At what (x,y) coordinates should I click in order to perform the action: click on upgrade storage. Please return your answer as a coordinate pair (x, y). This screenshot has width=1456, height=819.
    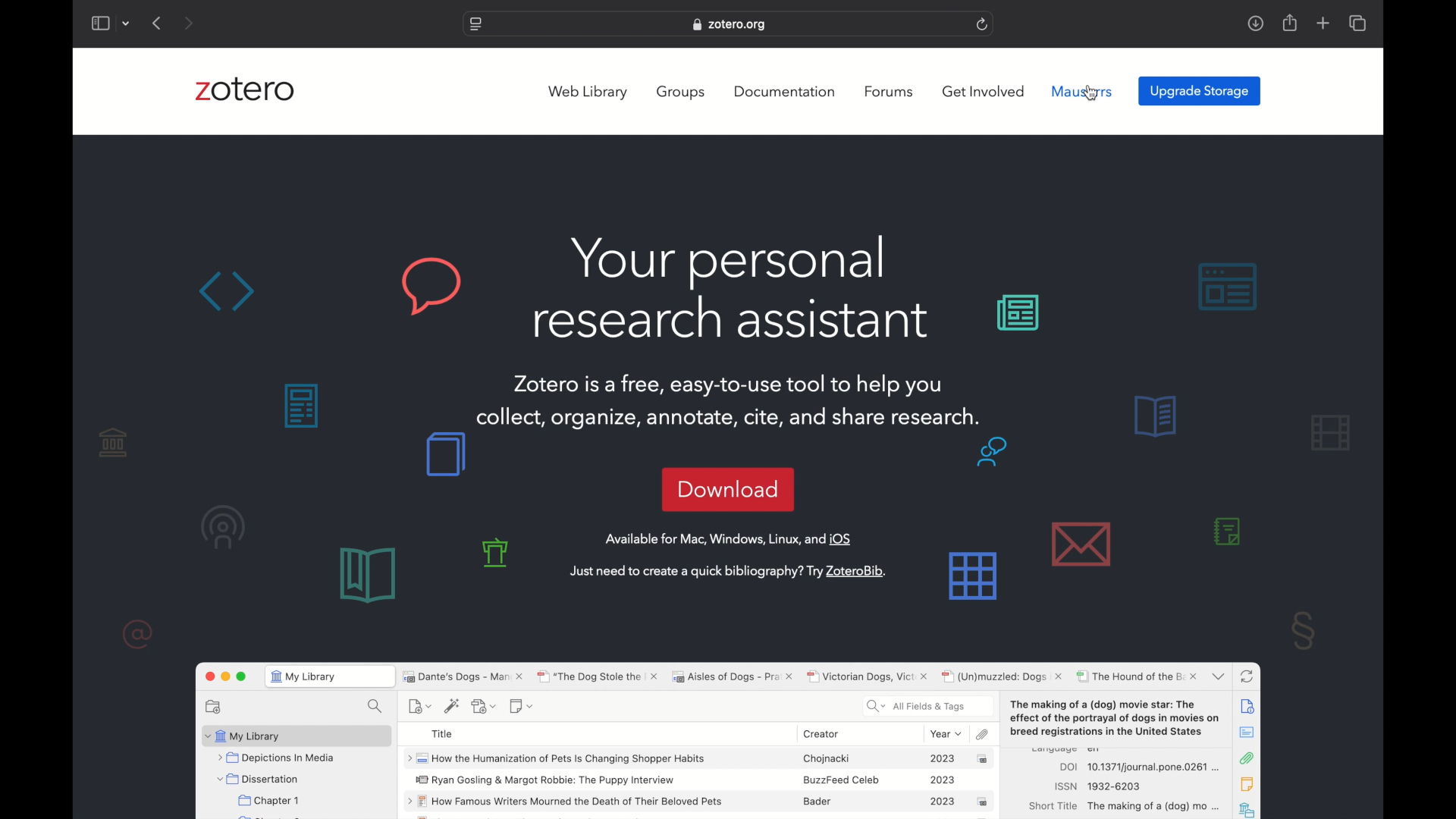
    Looking at the image, I should click on (1200, 92).